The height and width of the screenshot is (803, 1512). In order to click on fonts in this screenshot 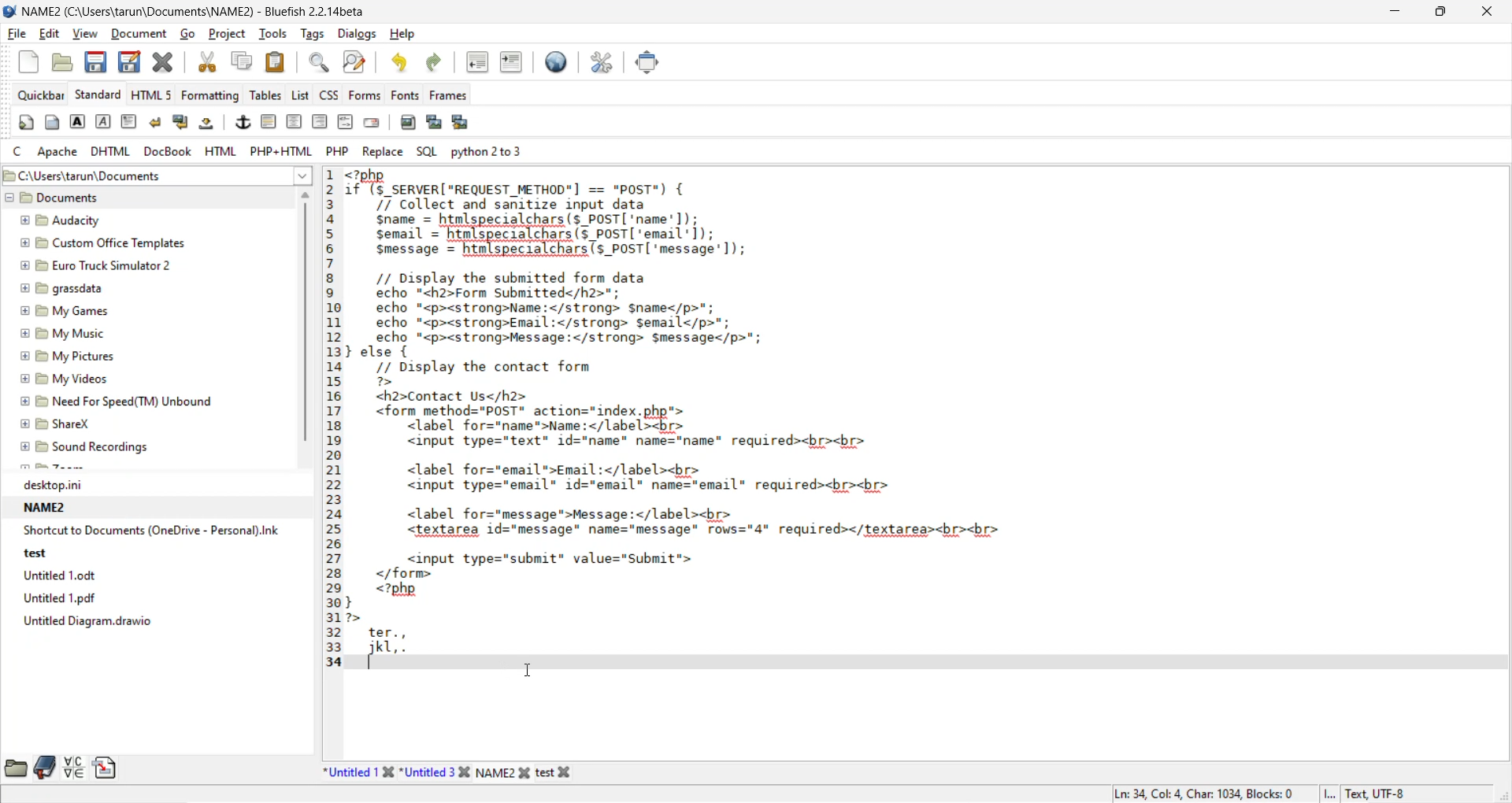, I will do `click(407, 94)`.